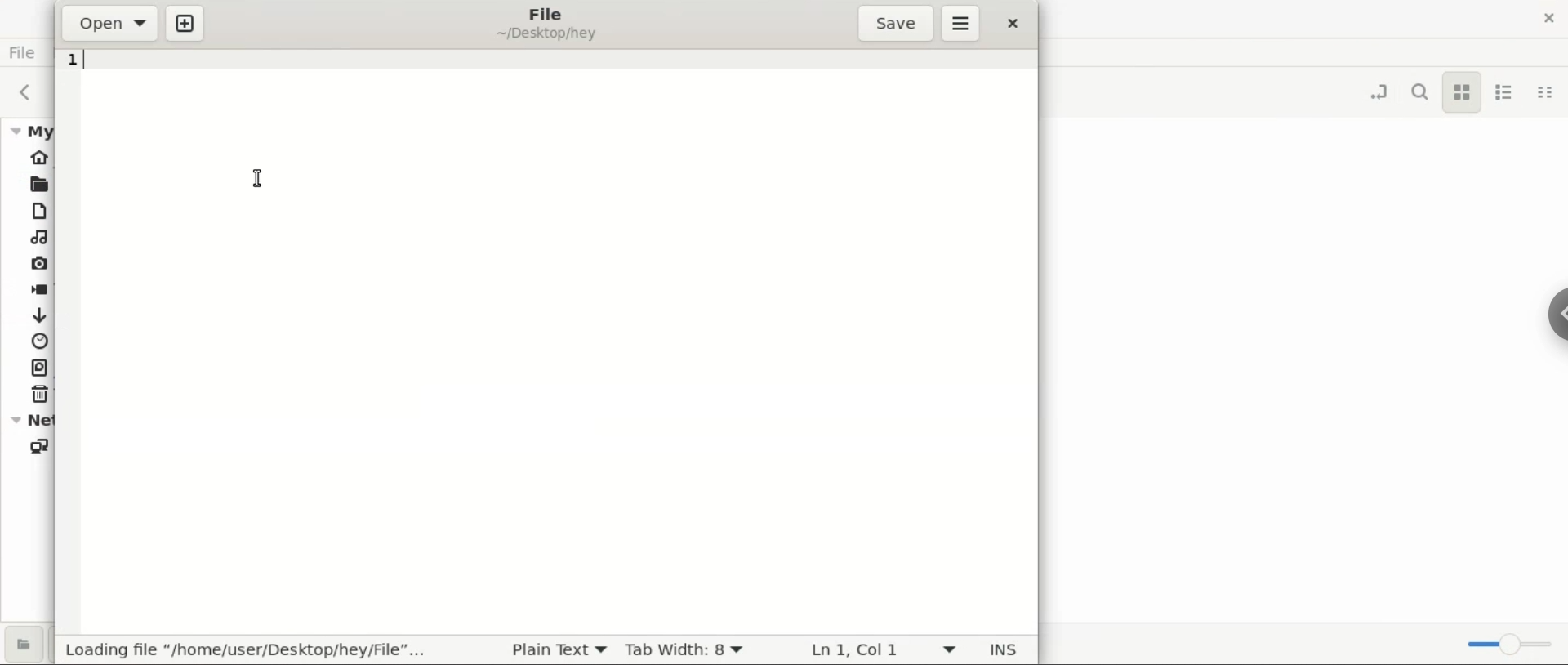 The height and width of the screenshot is (665, 1568). What do you see at coordinates (1017, 22) in the screenshot?
I see `close` at bounding box center [1017, 22].